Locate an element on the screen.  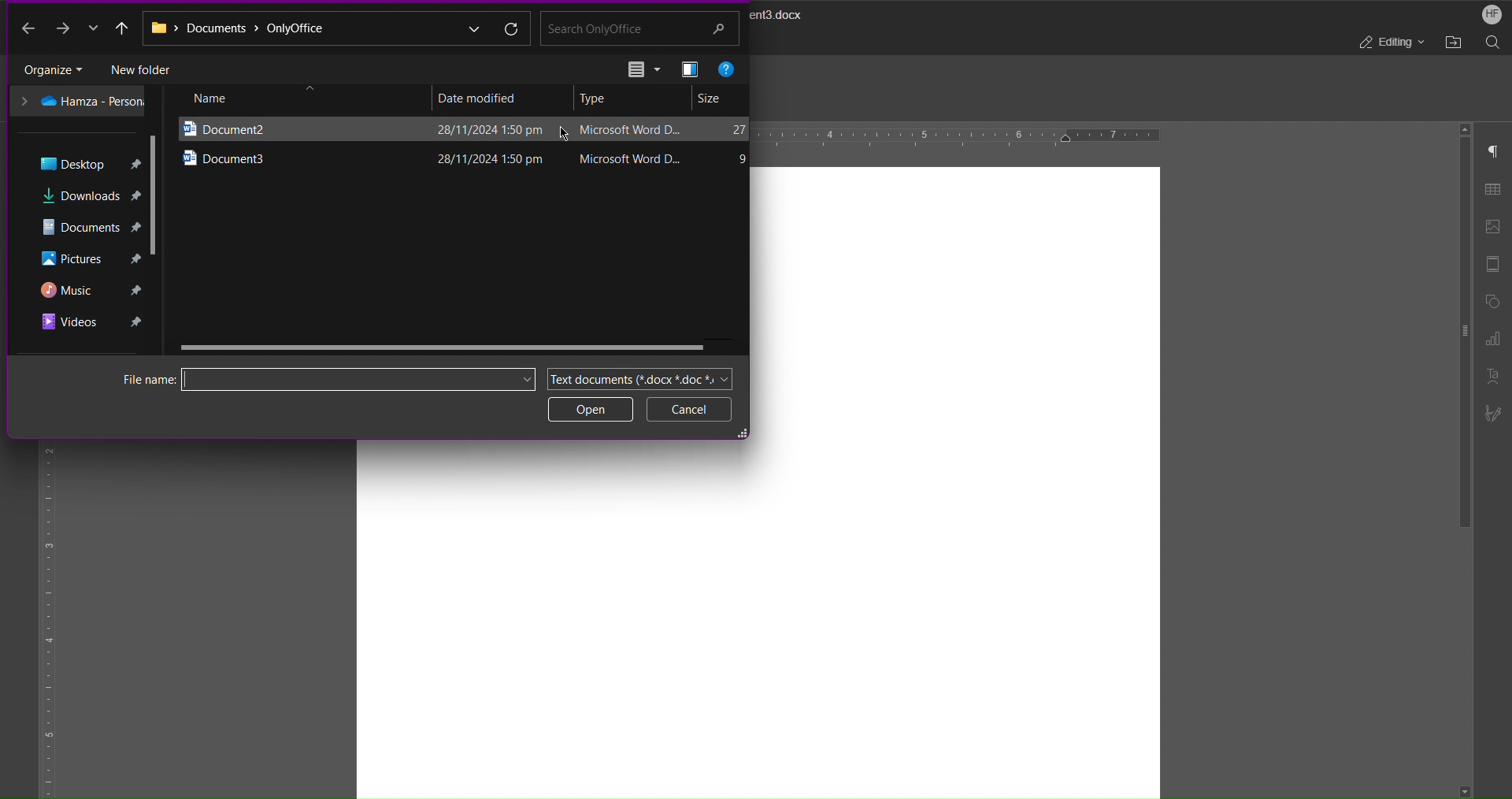
Graph Settings is located at coordinates (1493, 341).